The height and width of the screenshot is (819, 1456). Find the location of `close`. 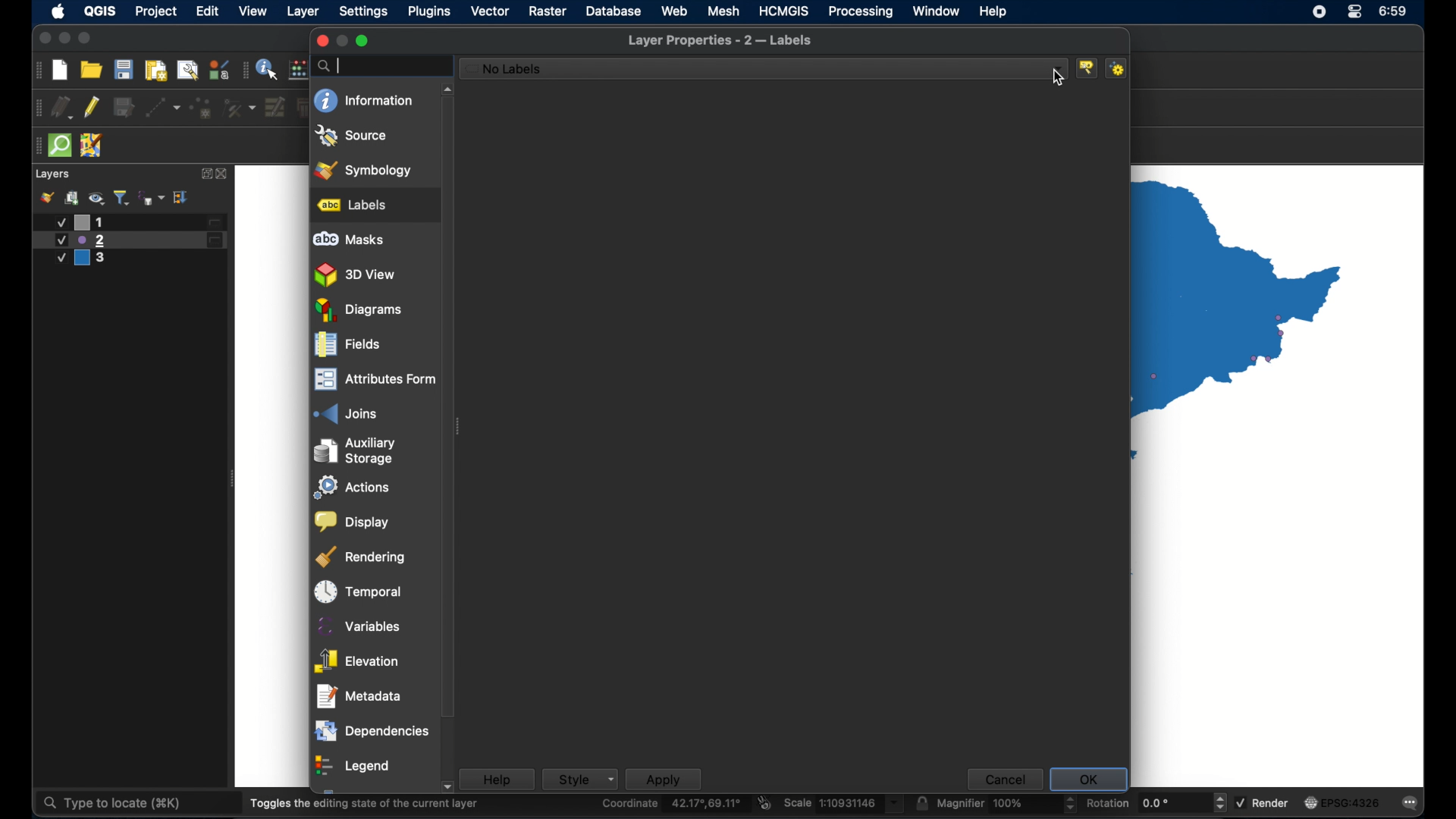

close is located at coordinates (224, 174).